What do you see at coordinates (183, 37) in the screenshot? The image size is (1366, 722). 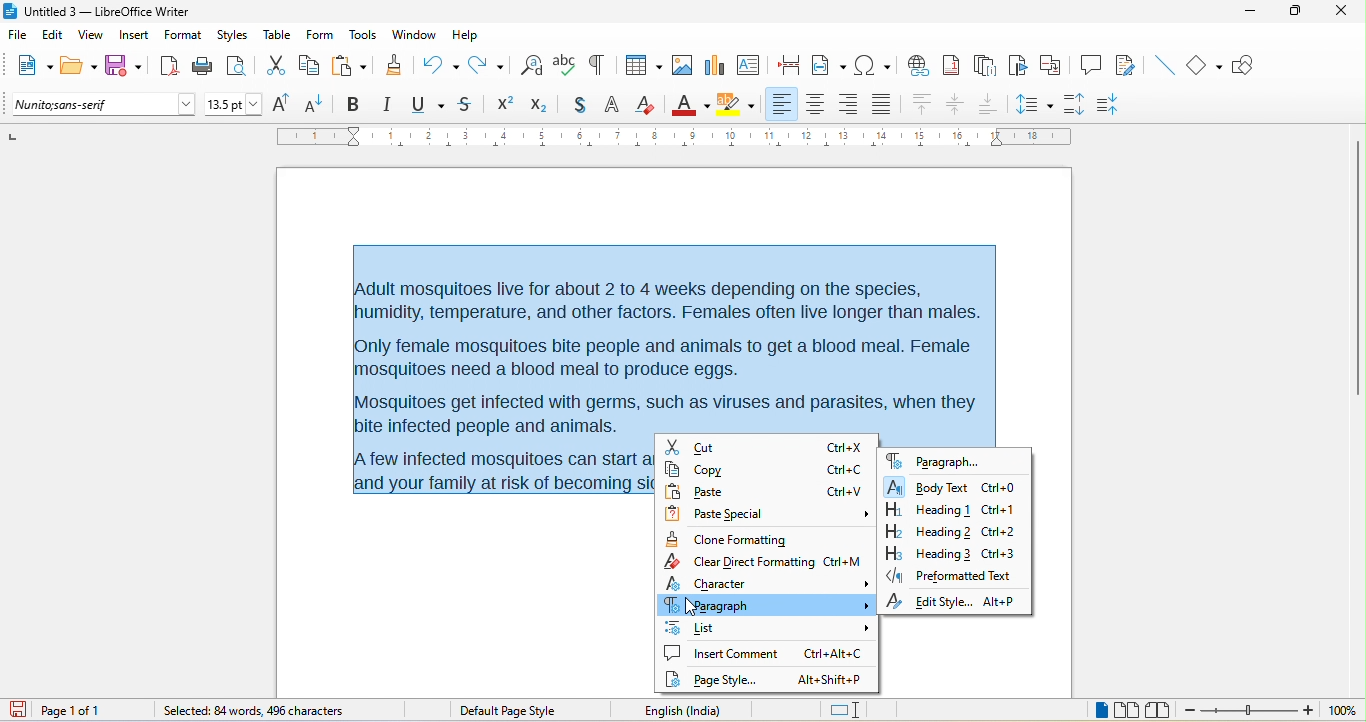 I see `format` at bounding box center [183, 37].